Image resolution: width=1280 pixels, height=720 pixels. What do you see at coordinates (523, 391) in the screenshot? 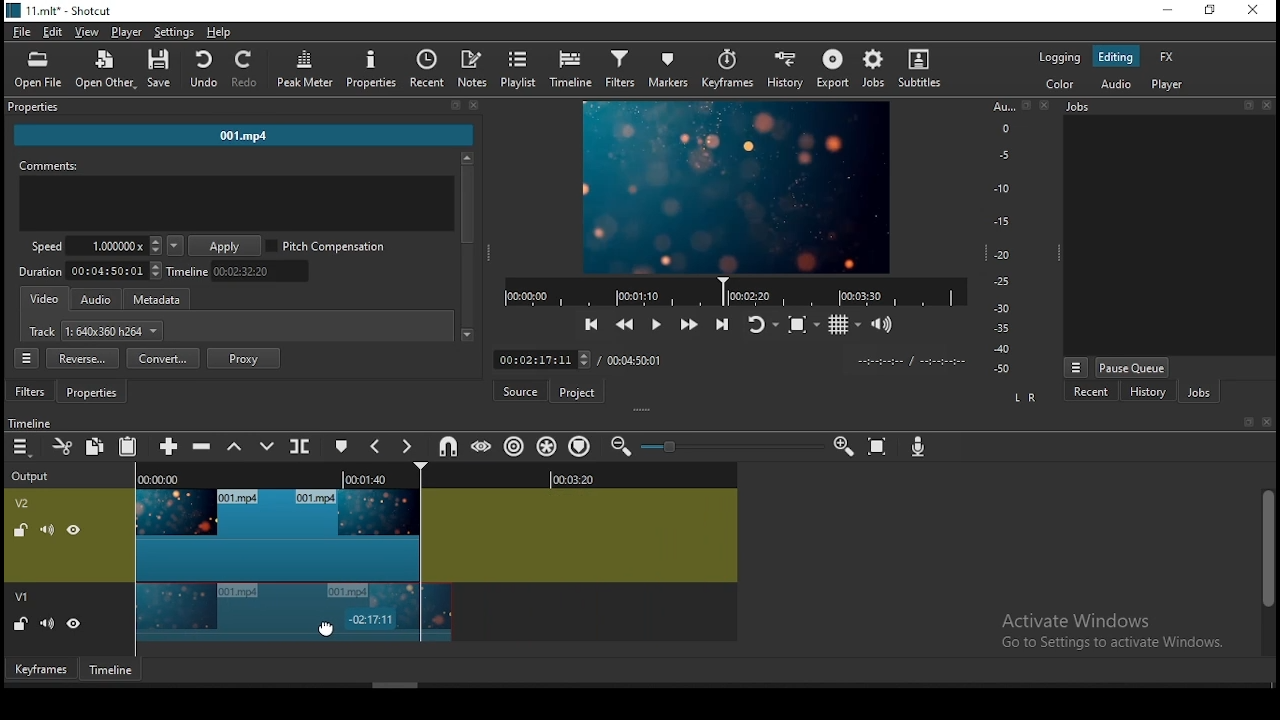
I see `source` at bounding box center [523, 391].